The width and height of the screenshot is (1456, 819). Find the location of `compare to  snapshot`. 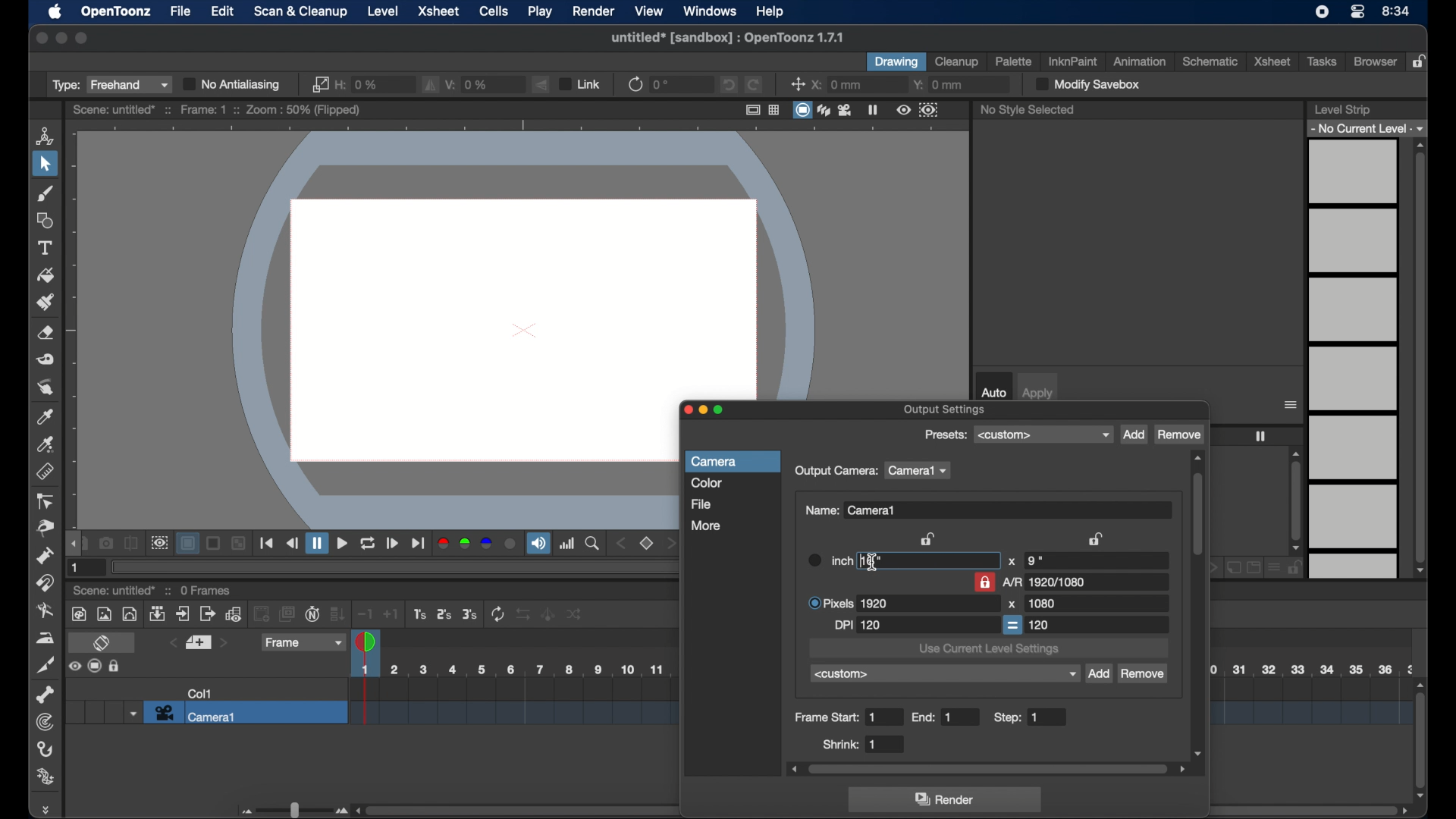

compare to  snapshot is located at coordinates (131, 544).